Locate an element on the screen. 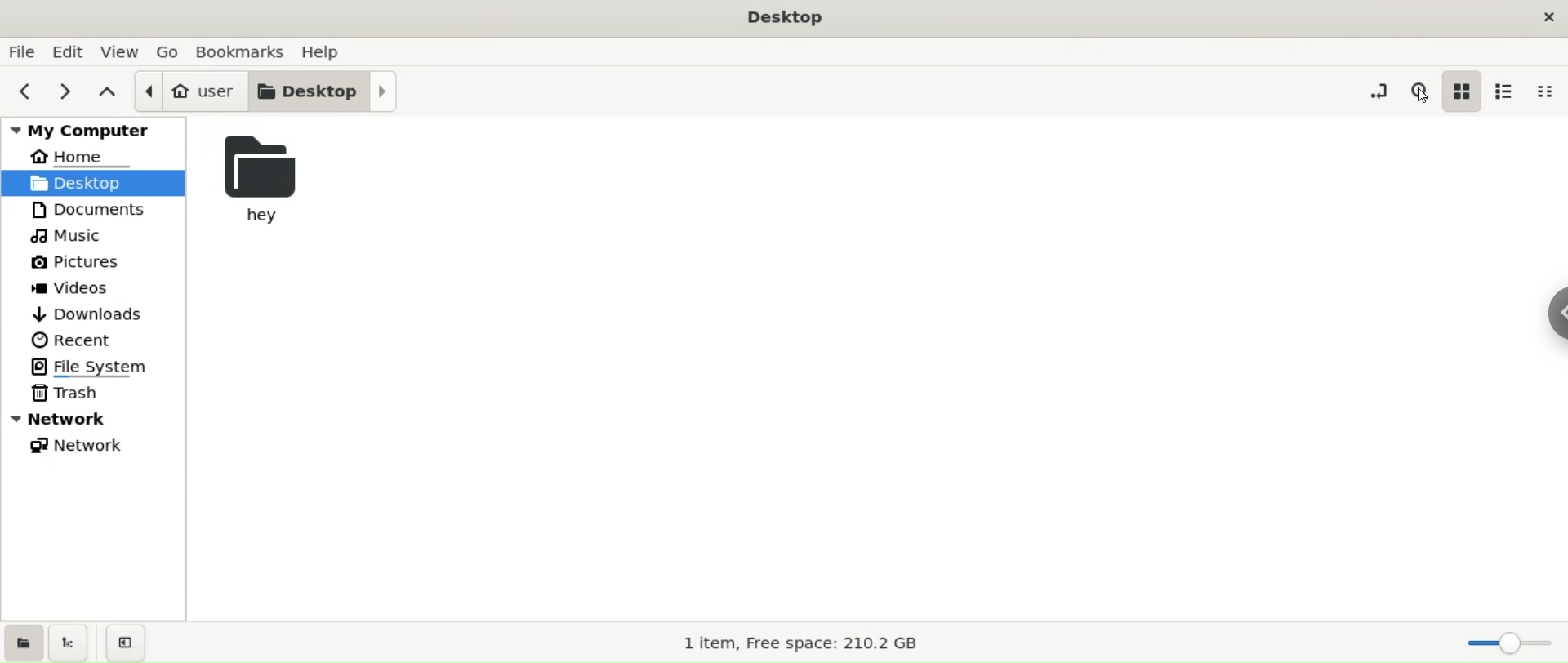 The height and width of the screenshot is (663, 1568). file  is located at coordinates (23, 52).